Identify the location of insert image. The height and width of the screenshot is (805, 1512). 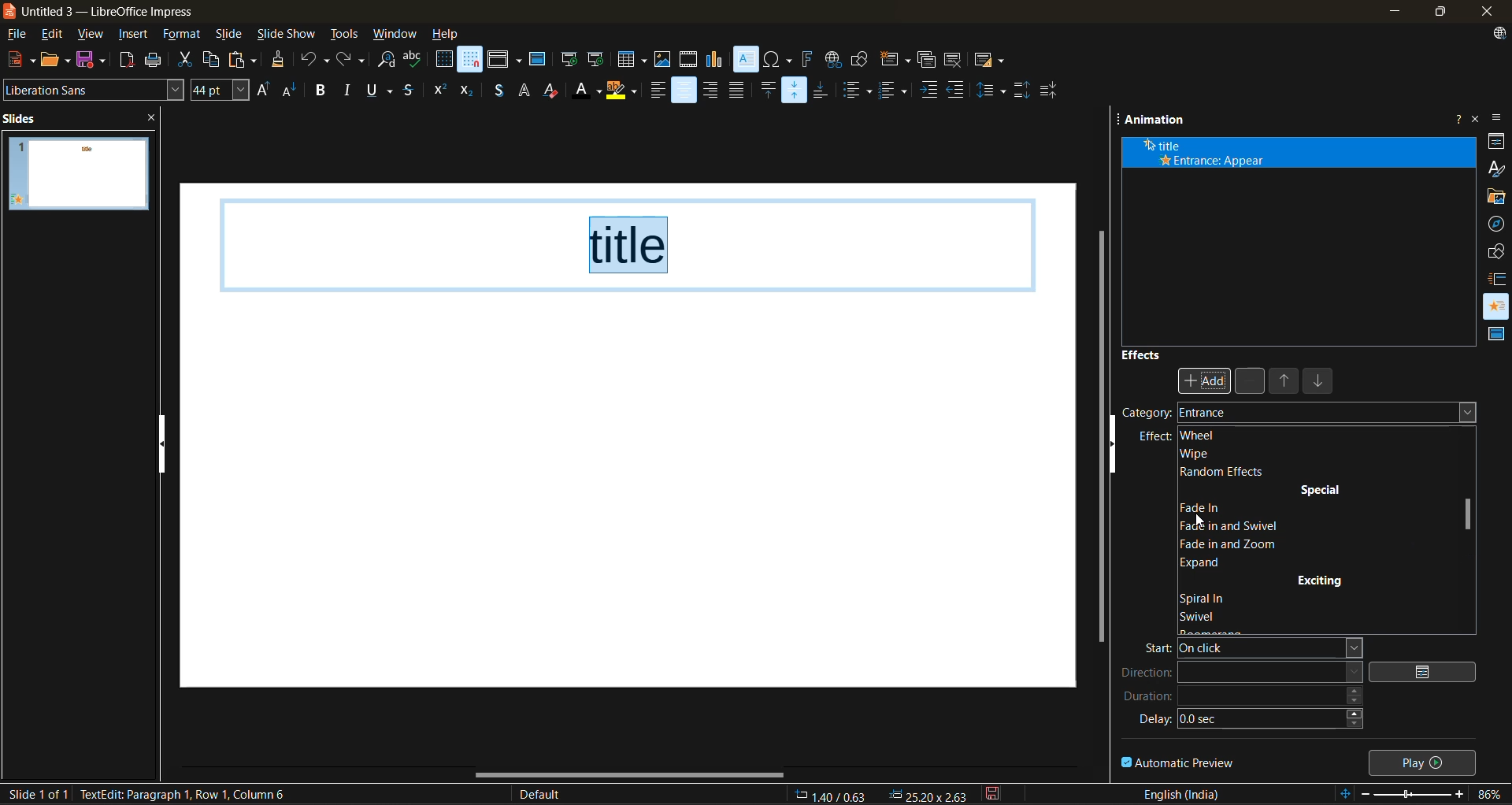
(665, 60).